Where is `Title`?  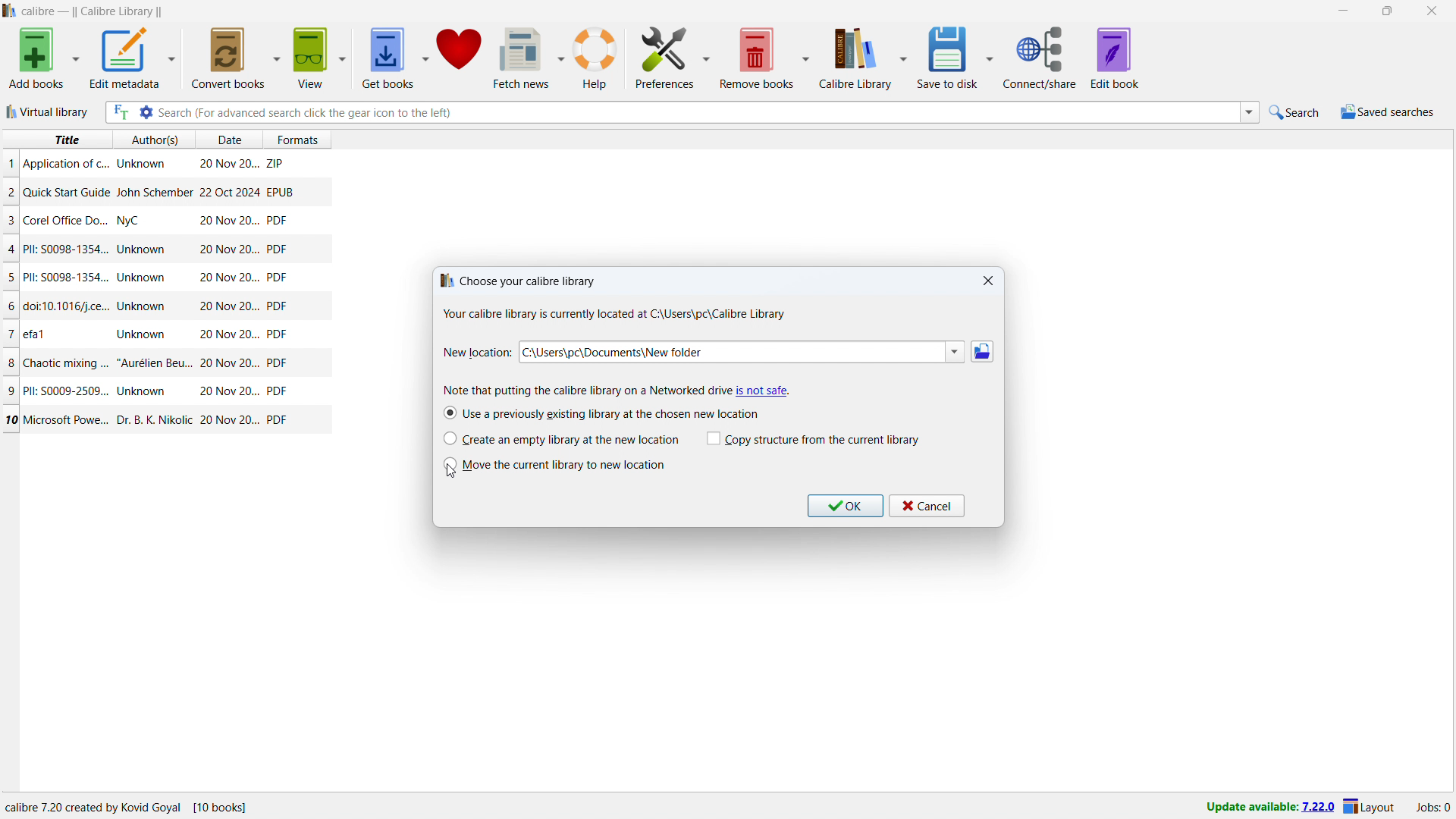 Title is located at coordinates (67, 192).